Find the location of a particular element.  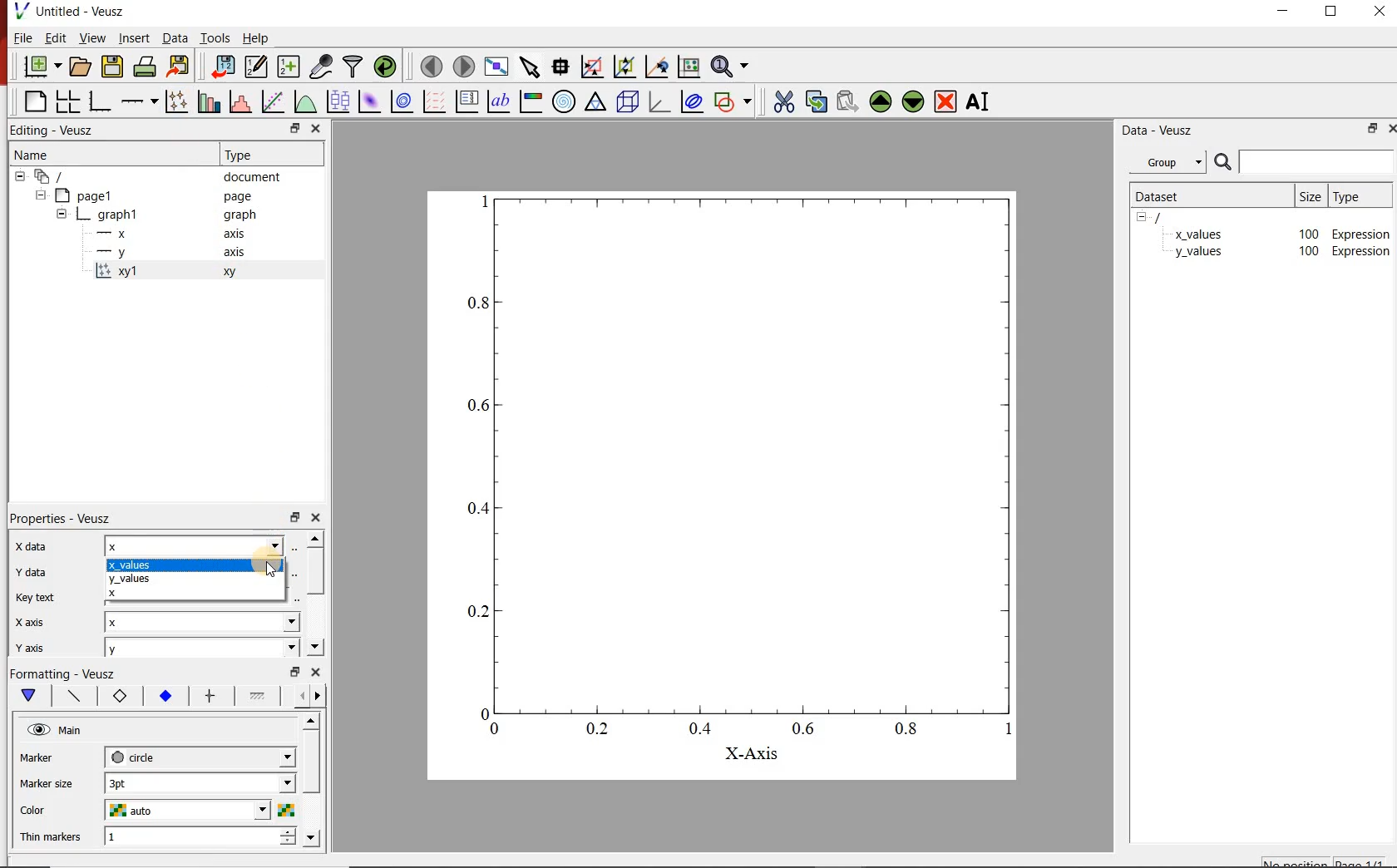

data is located at coordinates (175, 37).